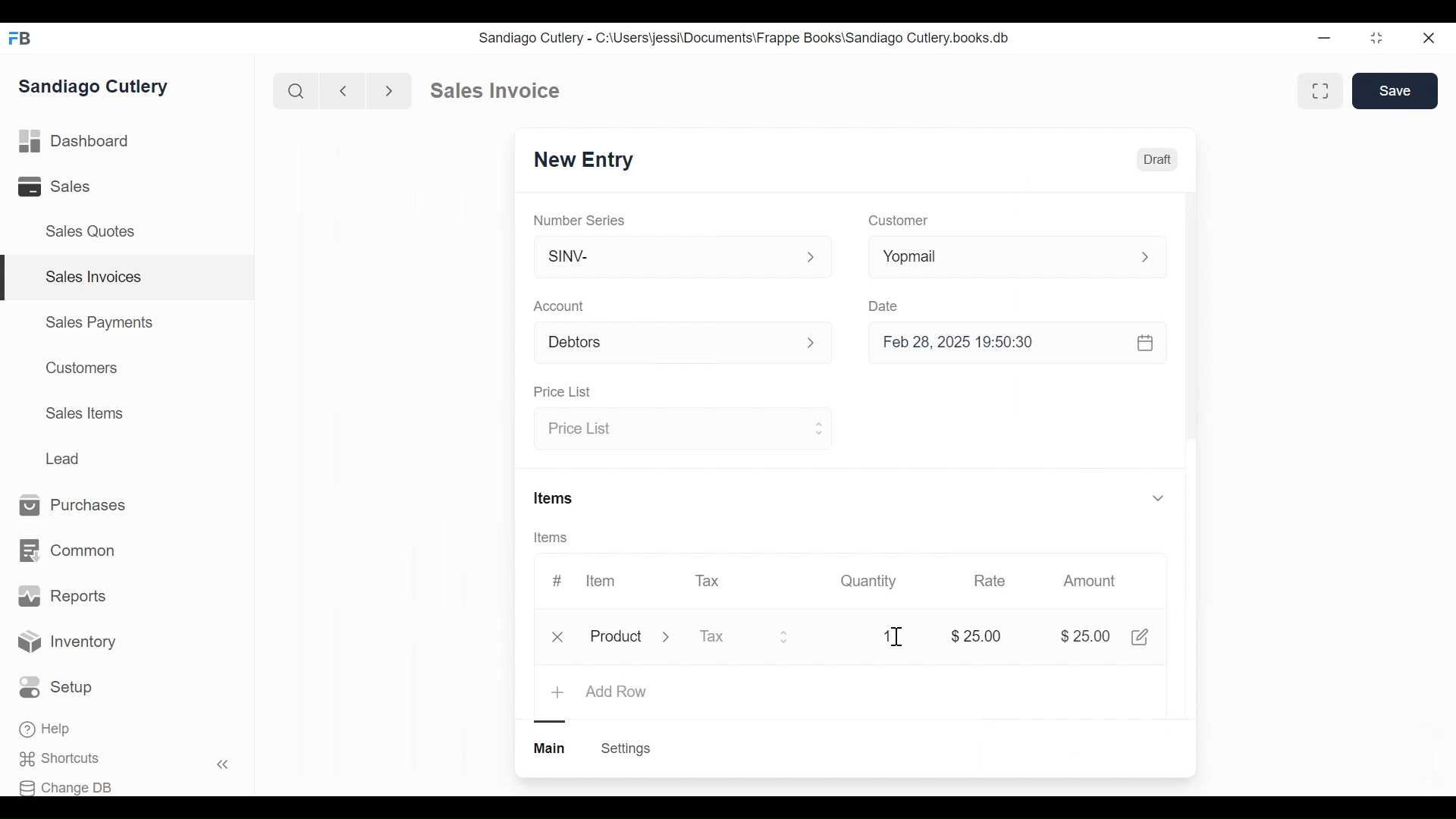  Describe the element at coordinates (1090, 581) in the screenshot. I see `Amount` at that location.